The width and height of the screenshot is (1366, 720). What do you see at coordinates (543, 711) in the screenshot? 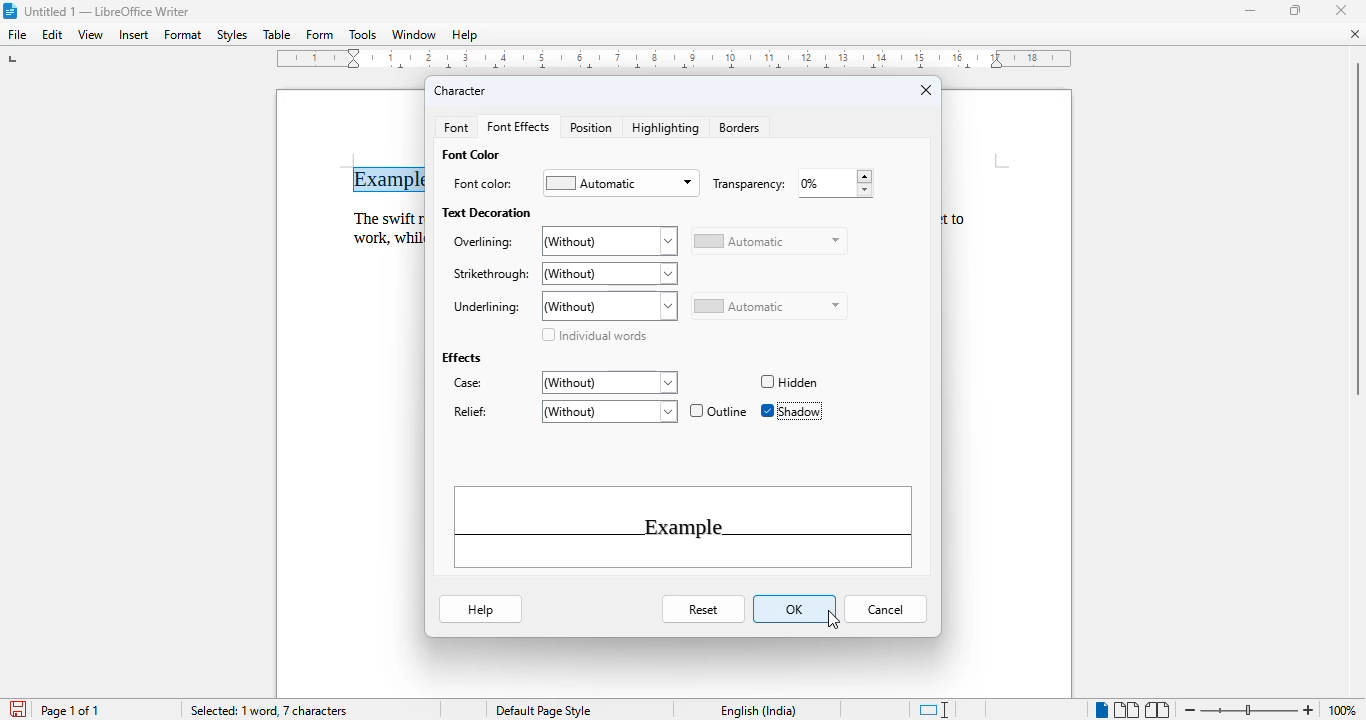
I see `Default page style` at bounding box center [543, 711].